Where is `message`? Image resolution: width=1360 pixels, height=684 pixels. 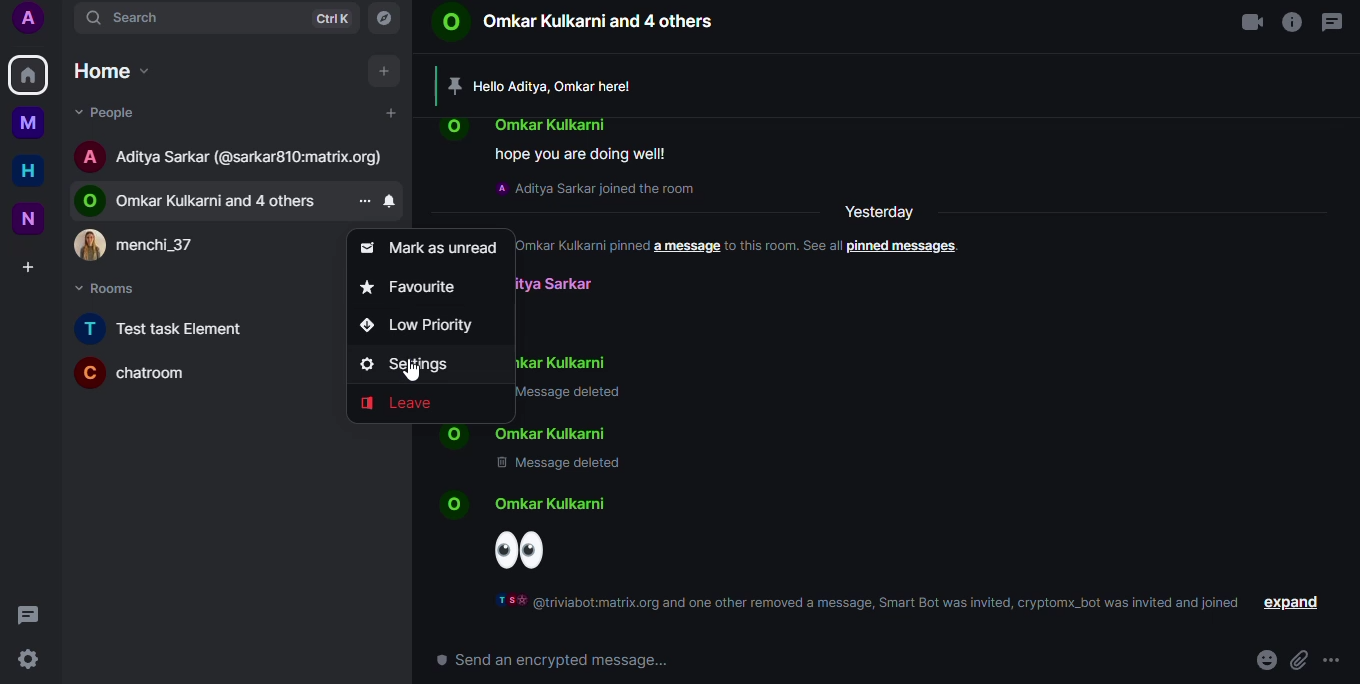 message is located at coordinates (581, 156).